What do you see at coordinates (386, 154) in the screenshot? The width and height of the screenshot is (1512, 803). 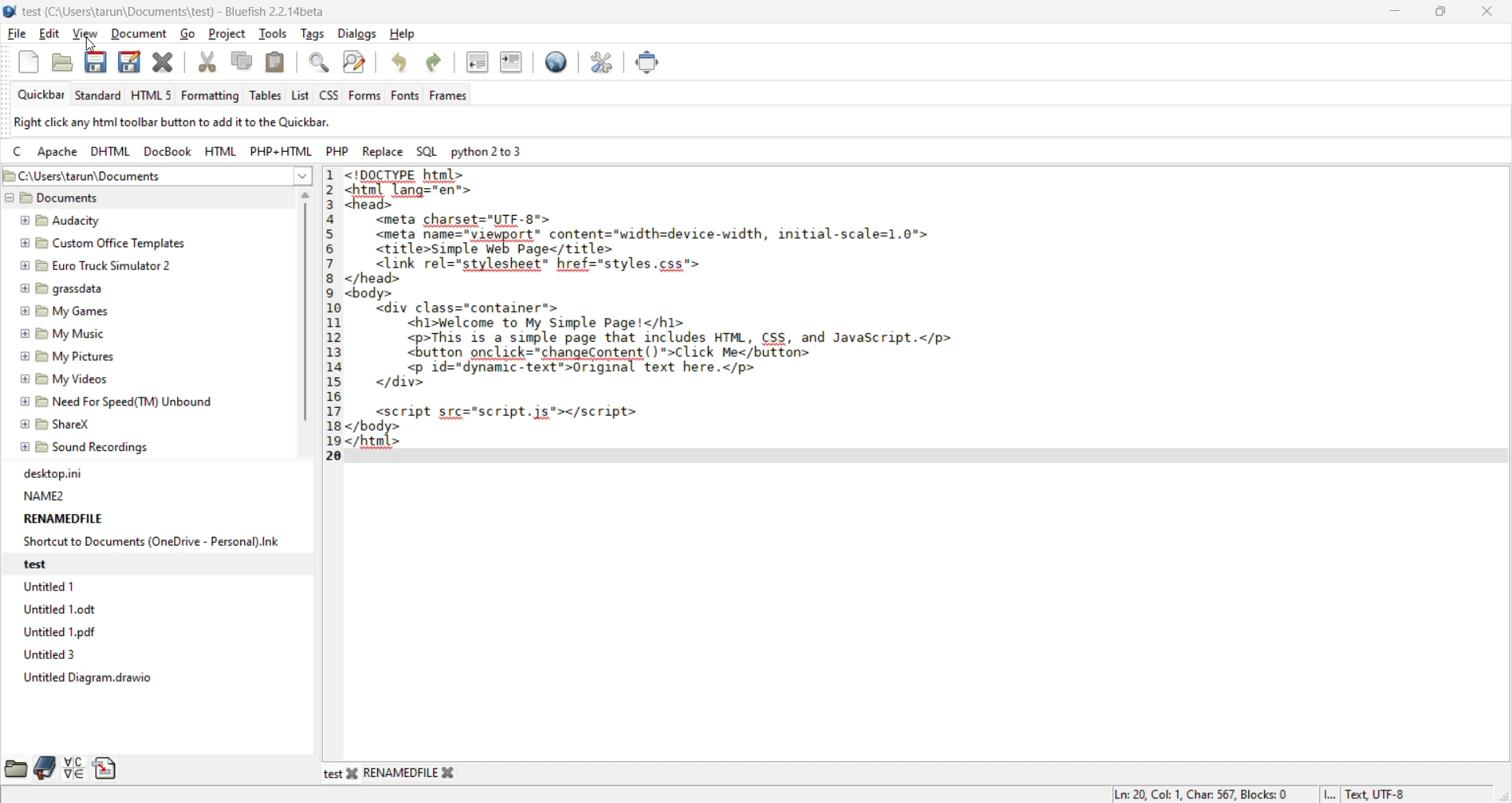 I see `replace` at bounding box center [386, 154].